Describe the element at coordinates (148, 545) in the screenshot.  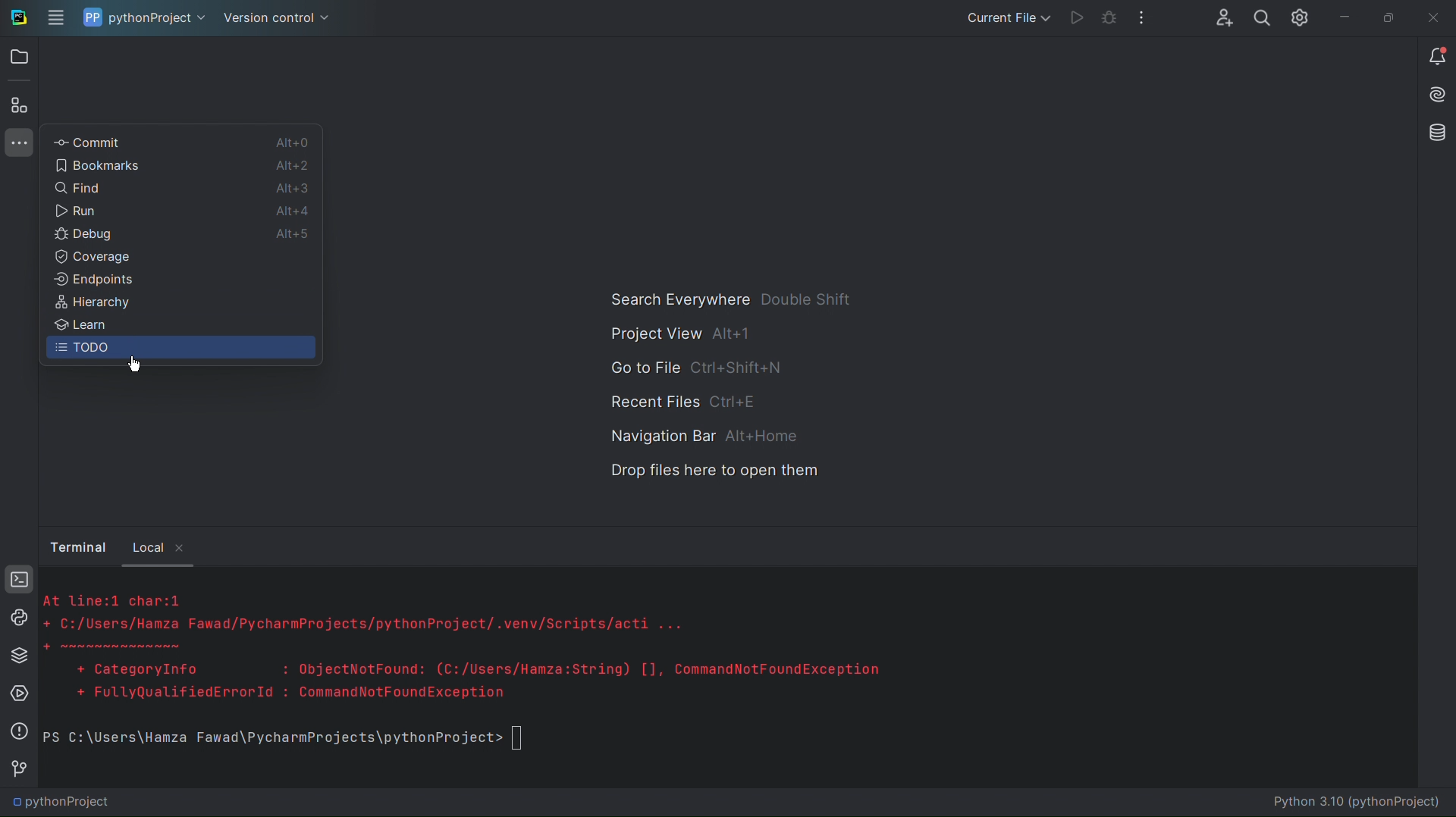
I see `Local` at that location.